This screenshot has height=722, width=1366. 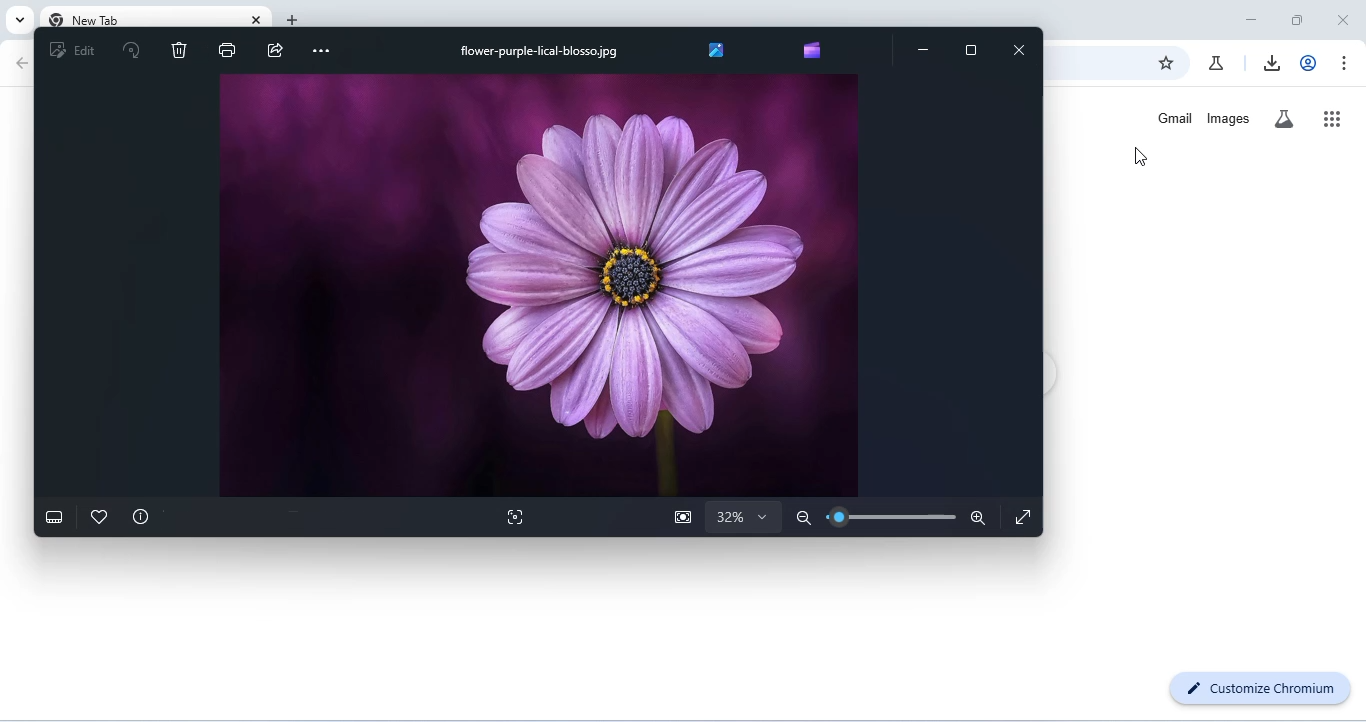 What do you see at coordinates (255, 20) in the screenshot?
I see `close` at bounding box center [255, 20].